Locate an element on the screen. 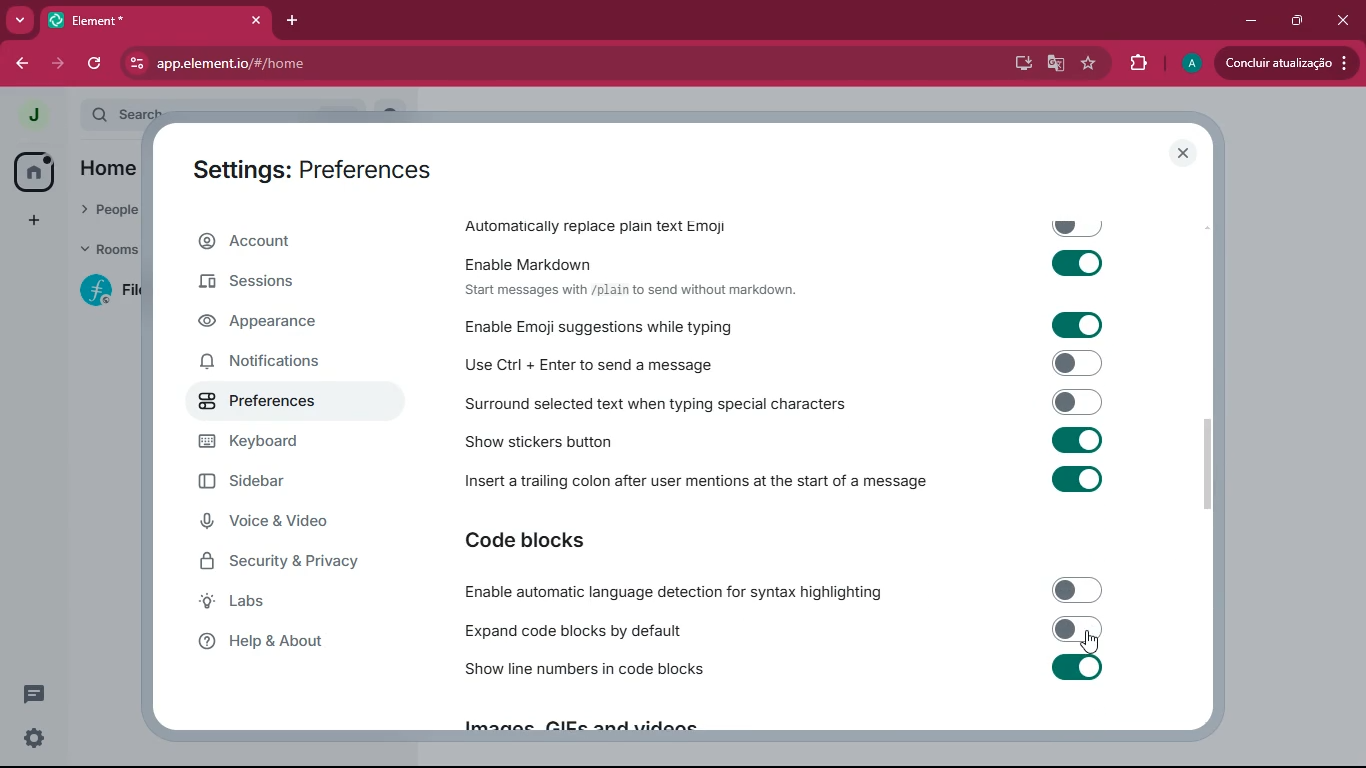  account is located at coordinates (299, 241).